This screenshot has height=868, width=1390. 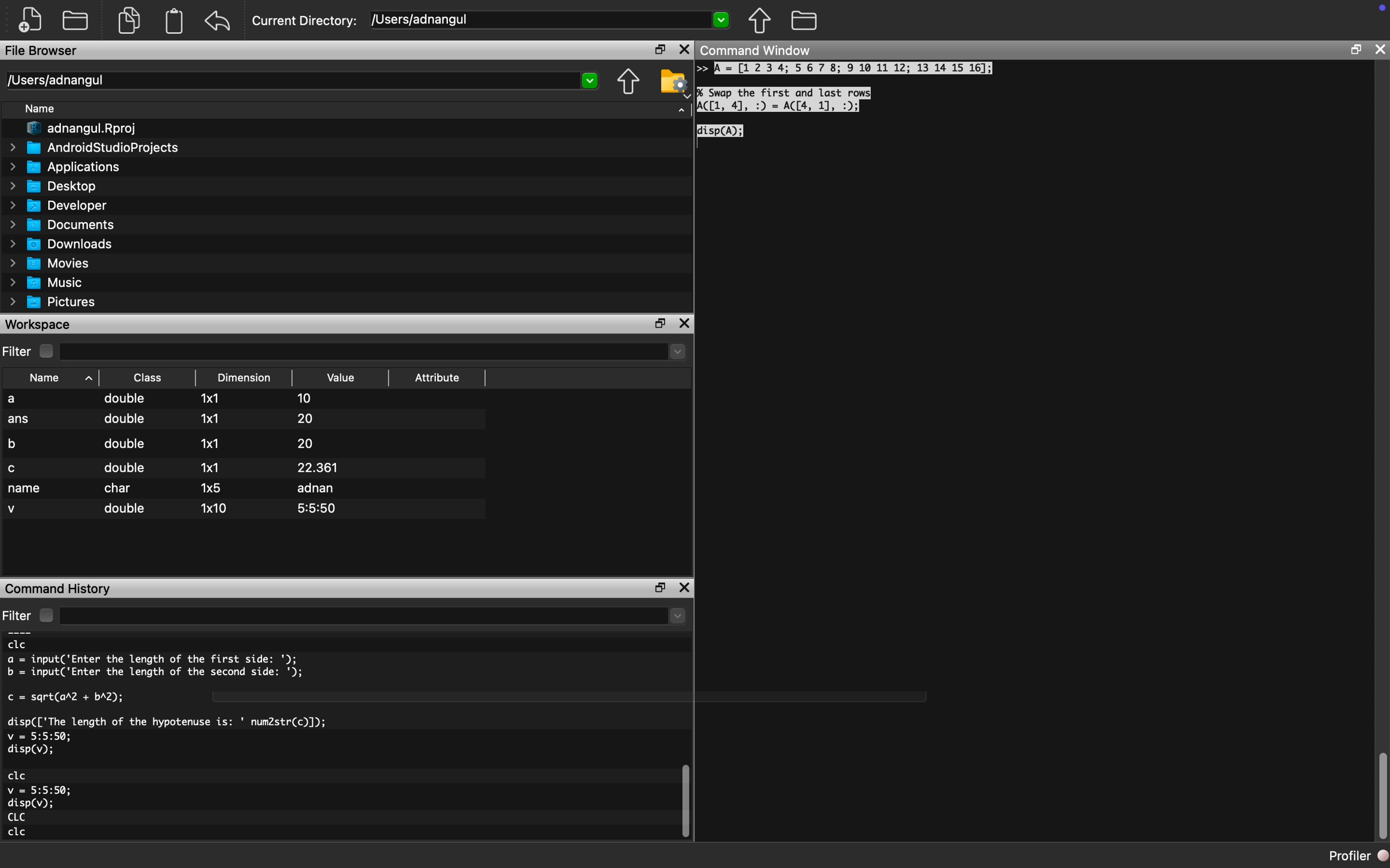 What do you see at coordinates (677, 618) in the screenshot?
I see `Dropdown` at bounding box center [677, 618].